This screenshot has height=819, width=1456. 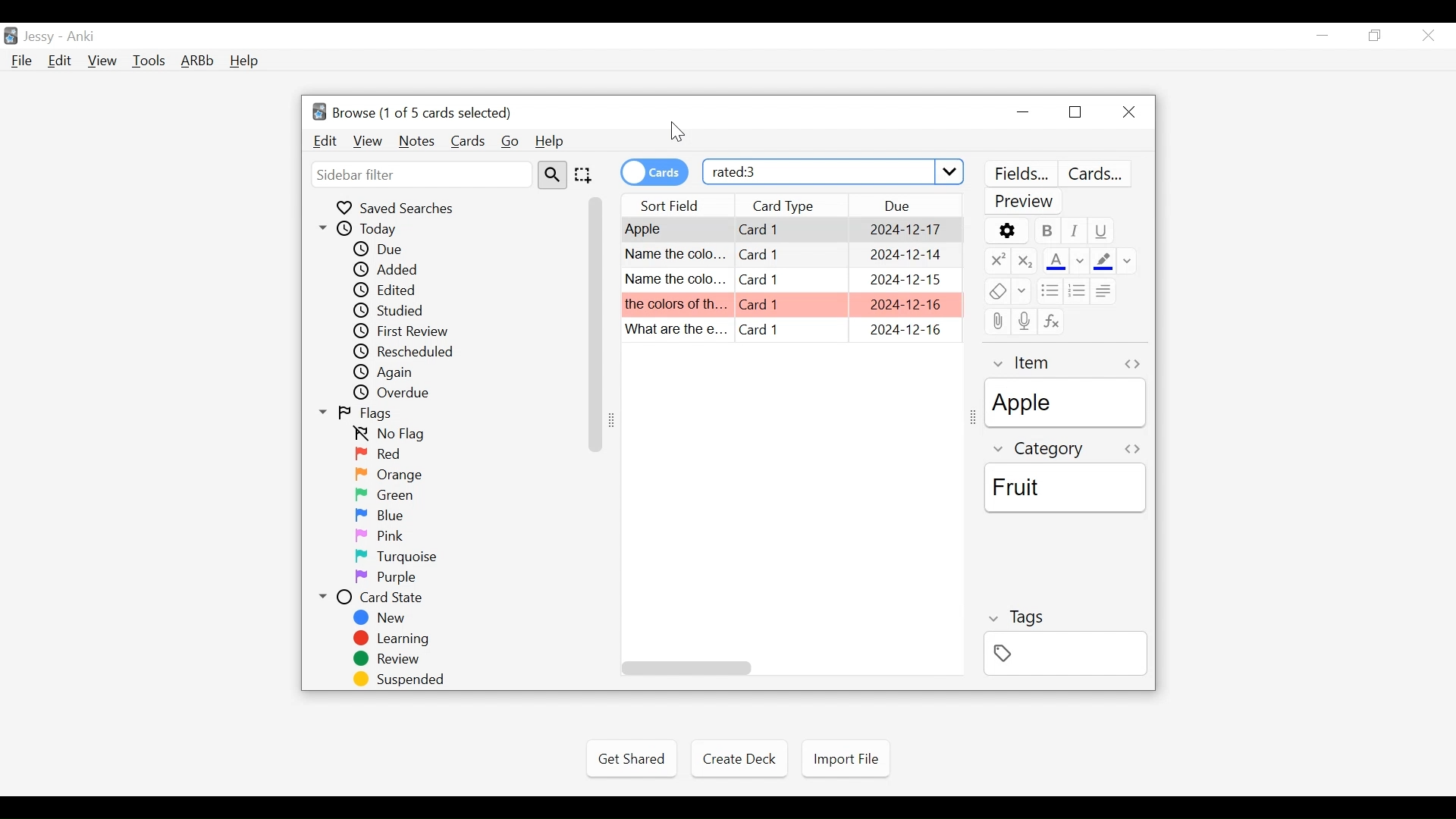 What do you see at coordinates (383, 598) in the screenshot?
I see `Card State` at bounding box center [383, 598].